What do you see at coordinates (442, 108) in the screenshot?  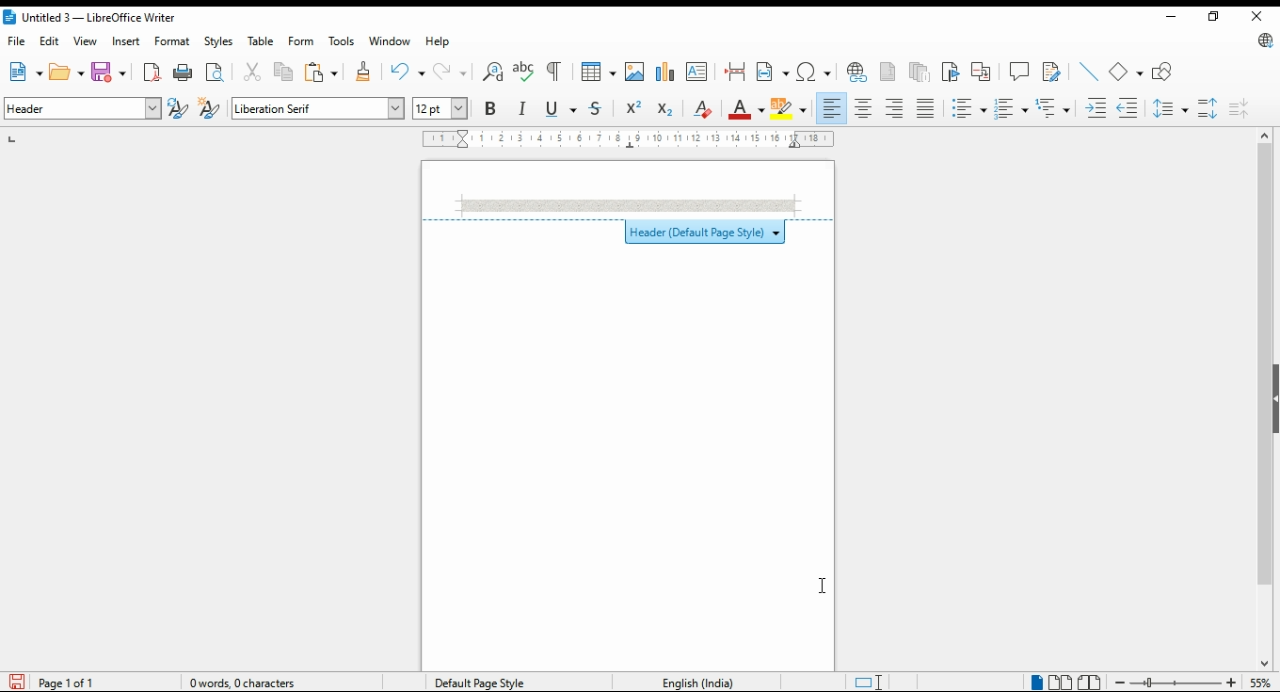 I see `font size` at bounding box center [442, 108].